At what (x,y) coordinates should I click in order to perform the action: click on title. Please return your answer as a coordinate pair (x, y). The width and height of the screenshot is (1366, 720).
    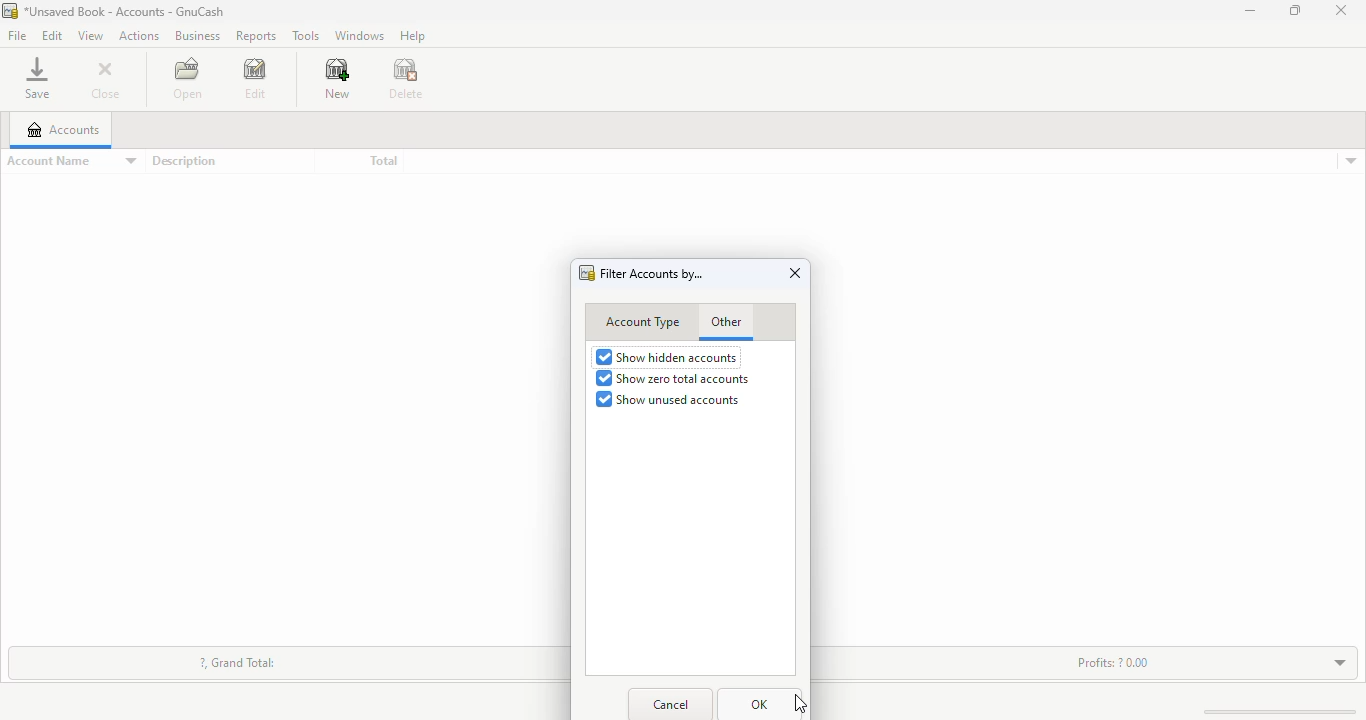
    Looking at the image, I should click on (124, 11).